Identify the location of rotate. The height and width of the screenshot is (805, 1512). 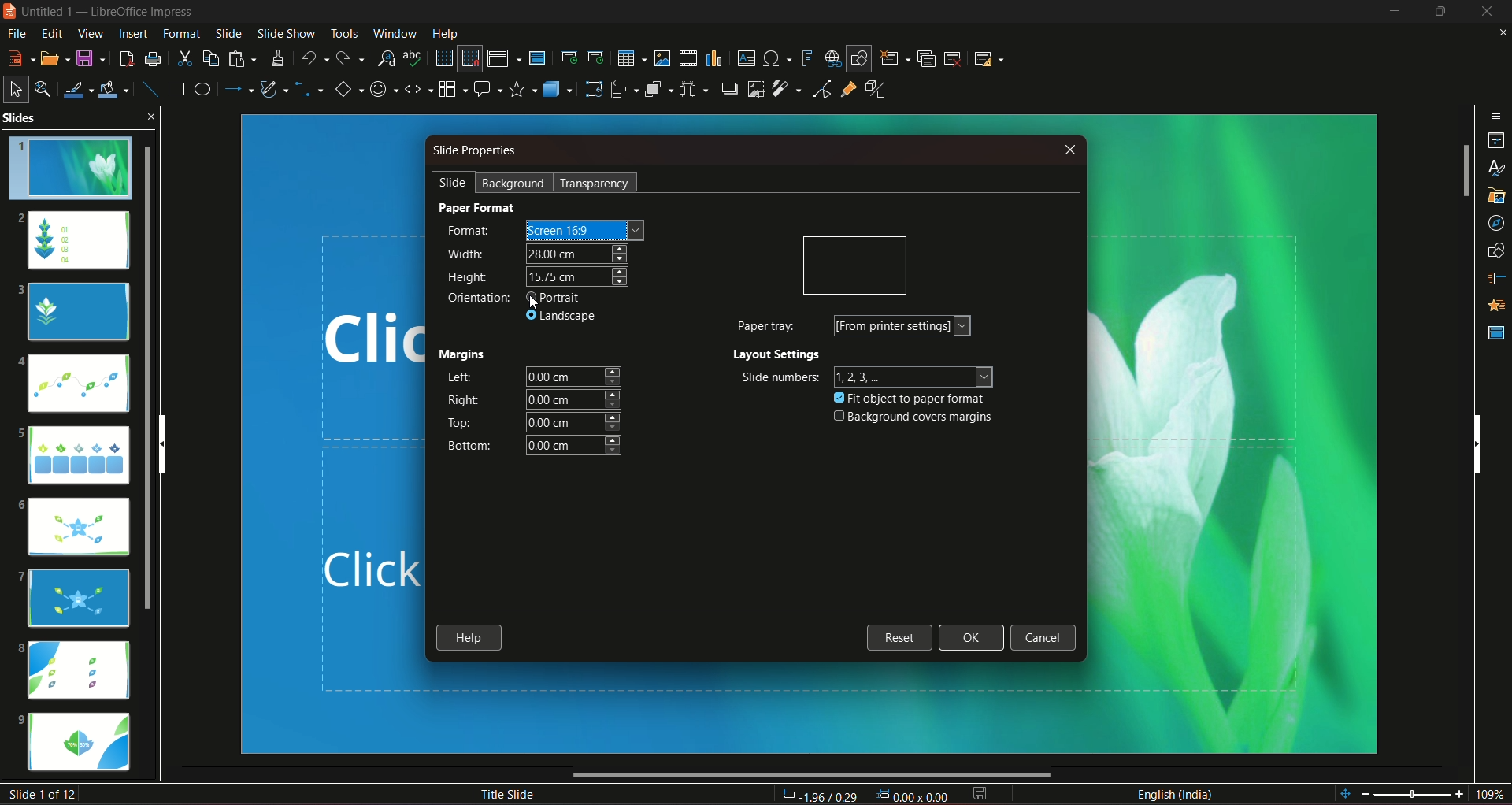
(592, 88).